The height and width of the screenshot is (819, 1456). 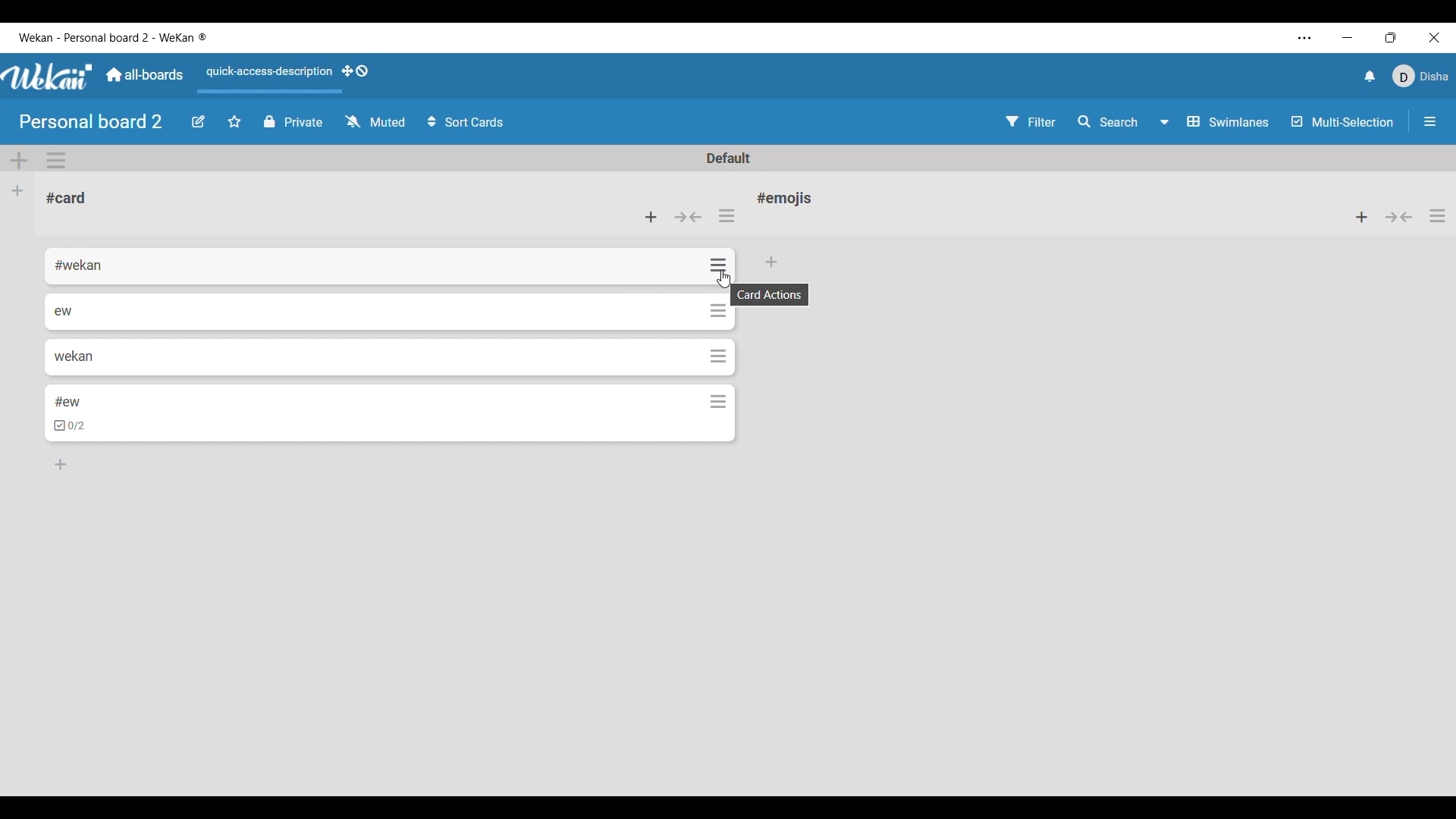 What do you see at coordinates (466, 121) in the screenshot?
I see `Sort card options` at bounding box center [466, 121].